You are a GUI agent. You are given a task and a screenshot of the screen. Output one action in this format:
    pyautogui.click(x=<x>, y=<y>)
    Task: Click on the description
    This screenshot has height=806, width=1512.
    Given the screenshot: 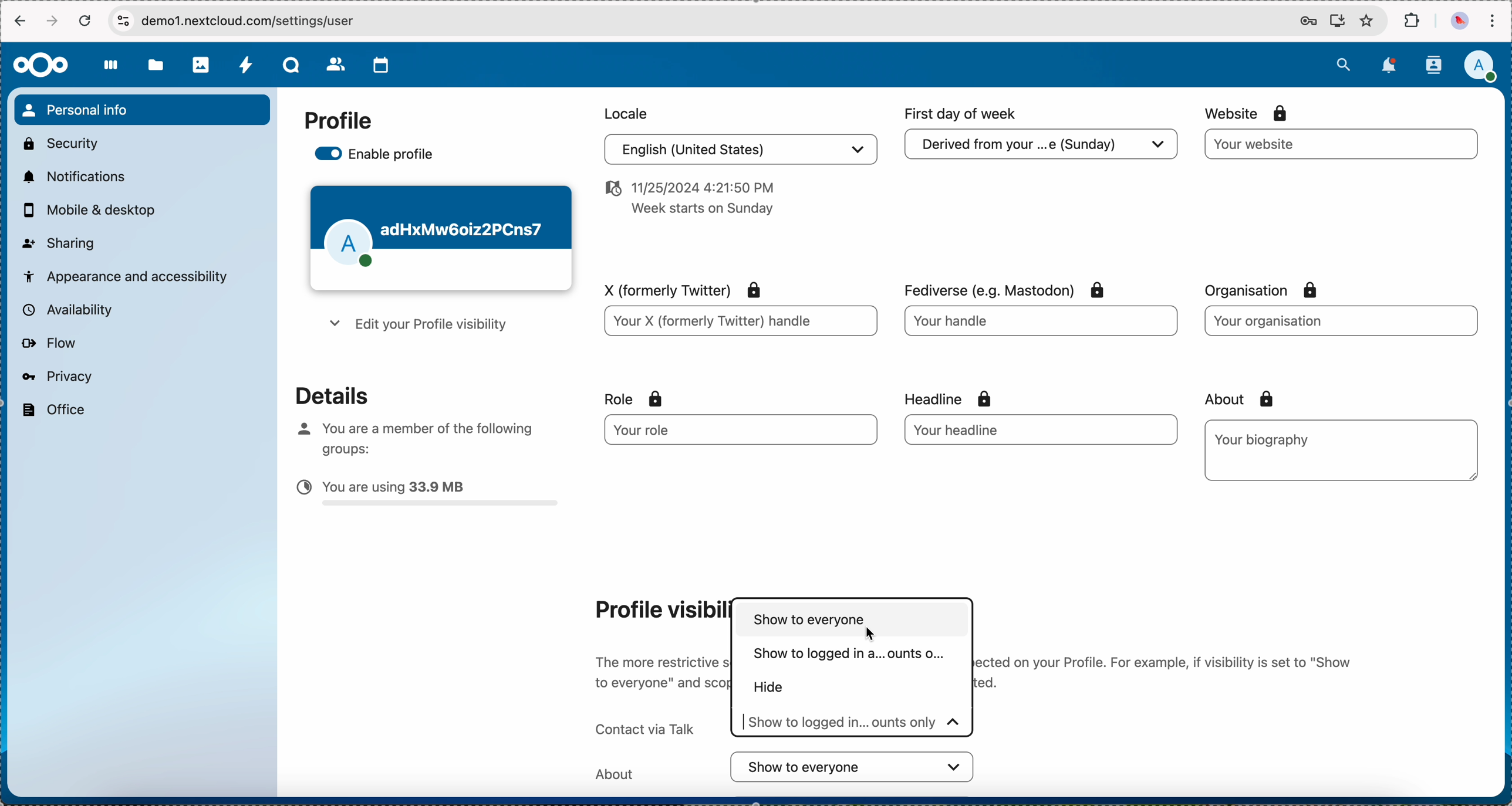 What is the action you would take?
    pyautogui.click(x=660, y=670)
    